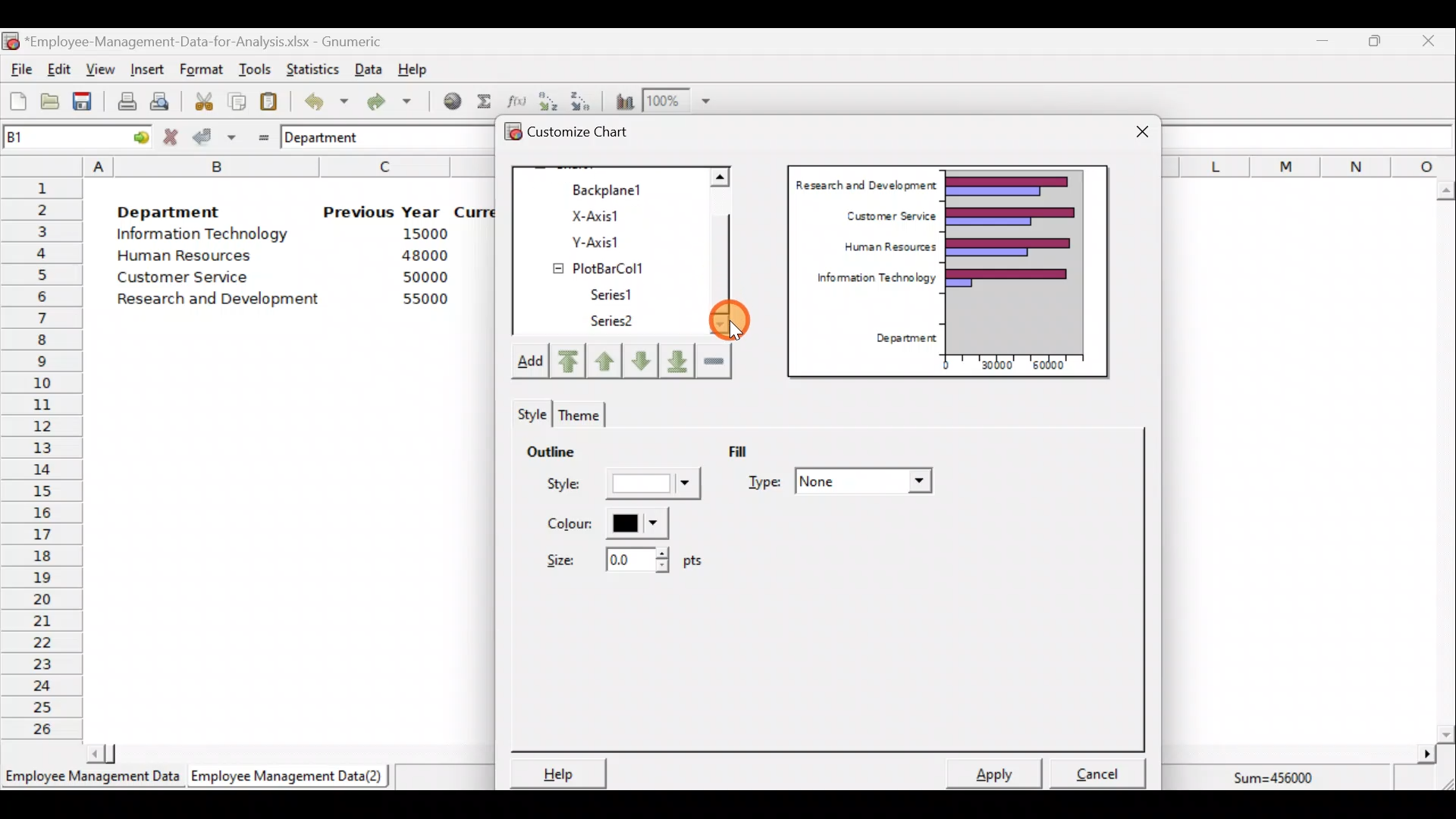  What do you see at coordinates (50, 136) in the screenshot?
I see `Cell name B1` at bounding box center [50, 136].